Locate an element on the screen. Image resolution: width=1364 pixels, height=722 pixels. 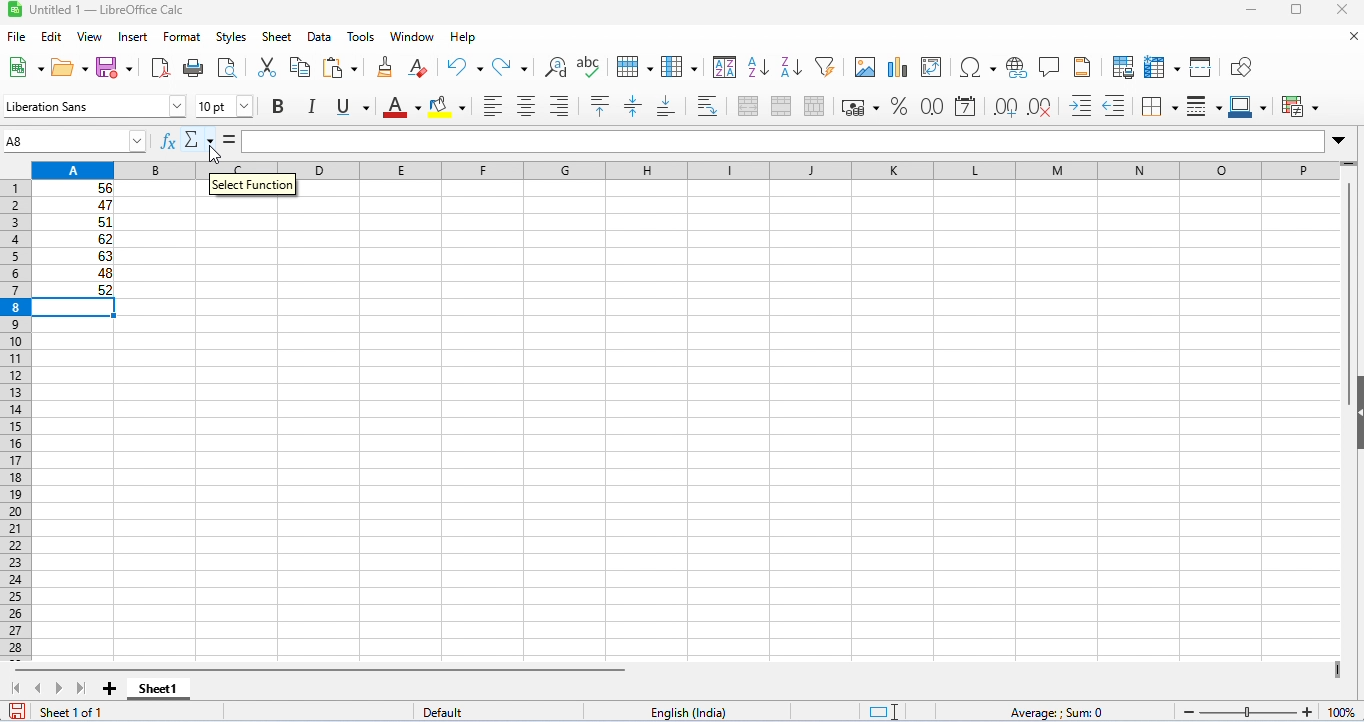
export as pdf is located at coordinates (160, 68).